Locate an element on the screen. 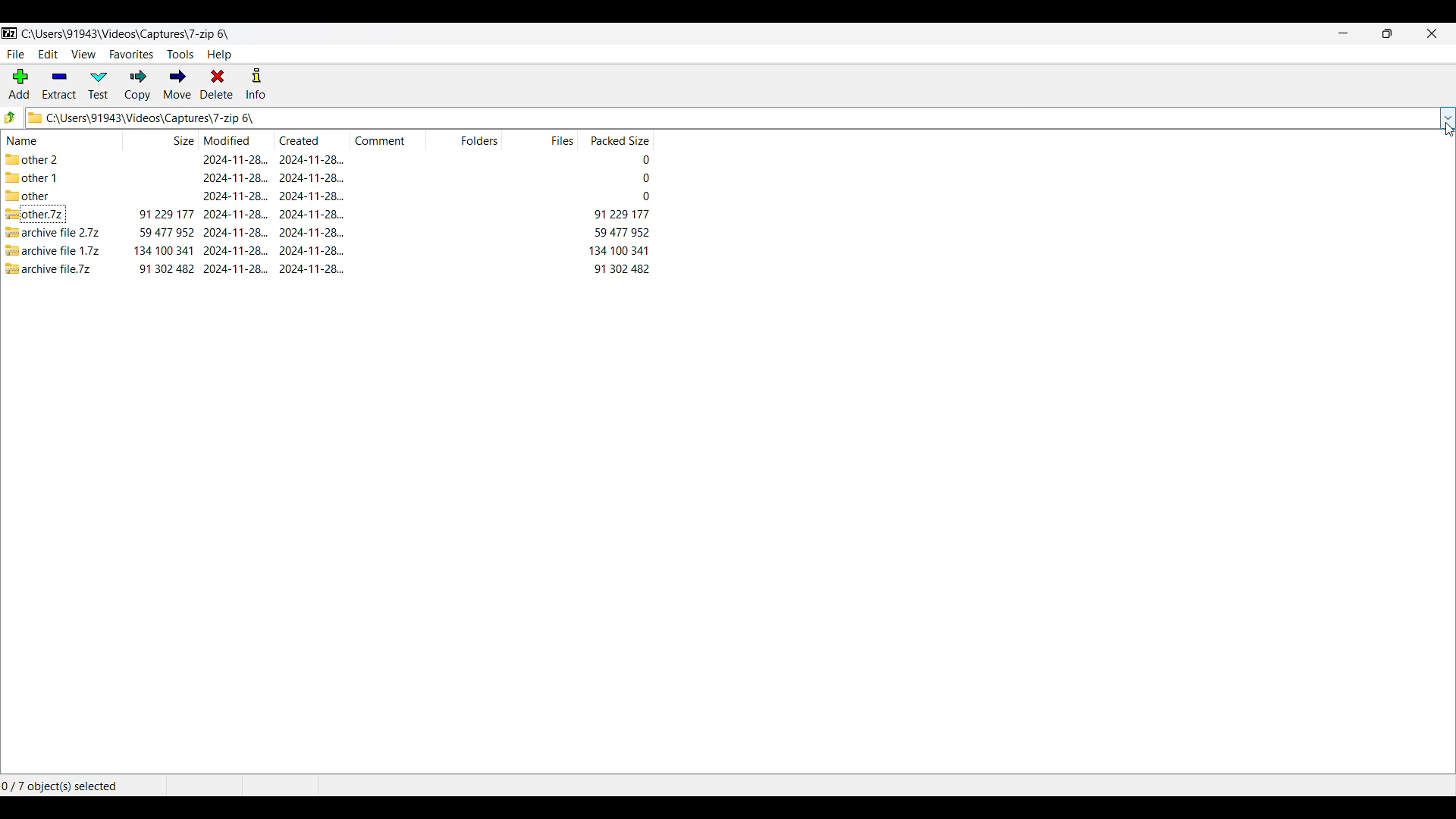 The width and height of the screenshot is (1456, 819). Selected file out of the total number of files in the folder is located at coordinates (72, 786).